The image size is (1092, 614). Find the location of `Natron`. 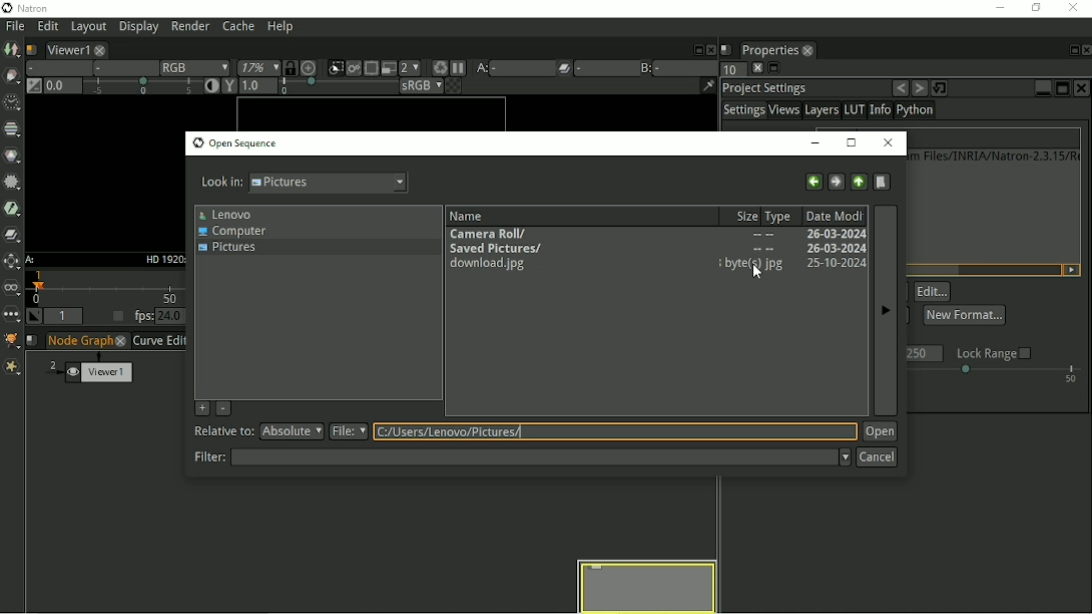

Natron is located at coordinates (30, 8).